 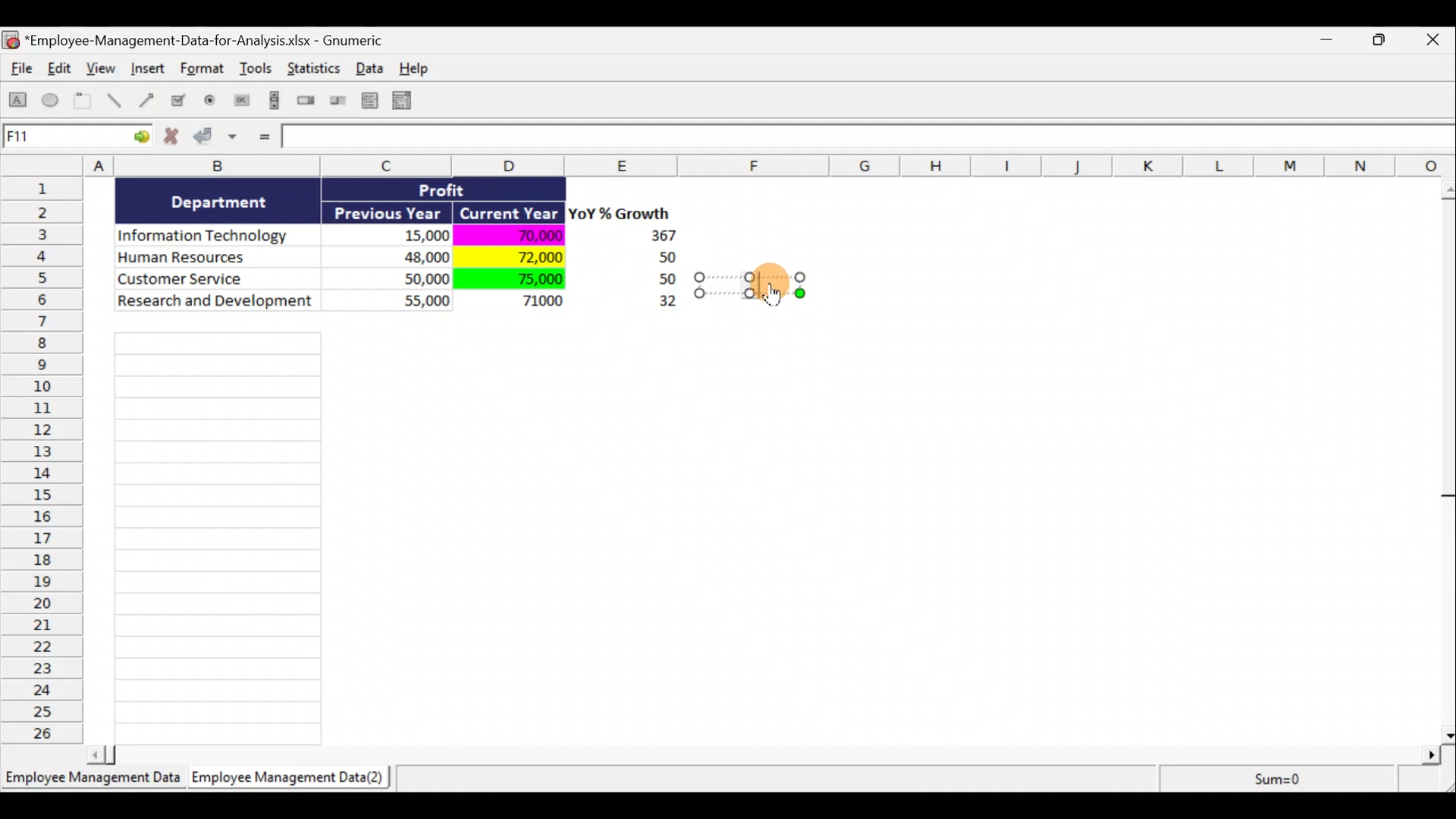 What do you see at coordinates (211, 102) in the screenshot?
I see `Create a radio button` at bounding box center [211, 102].